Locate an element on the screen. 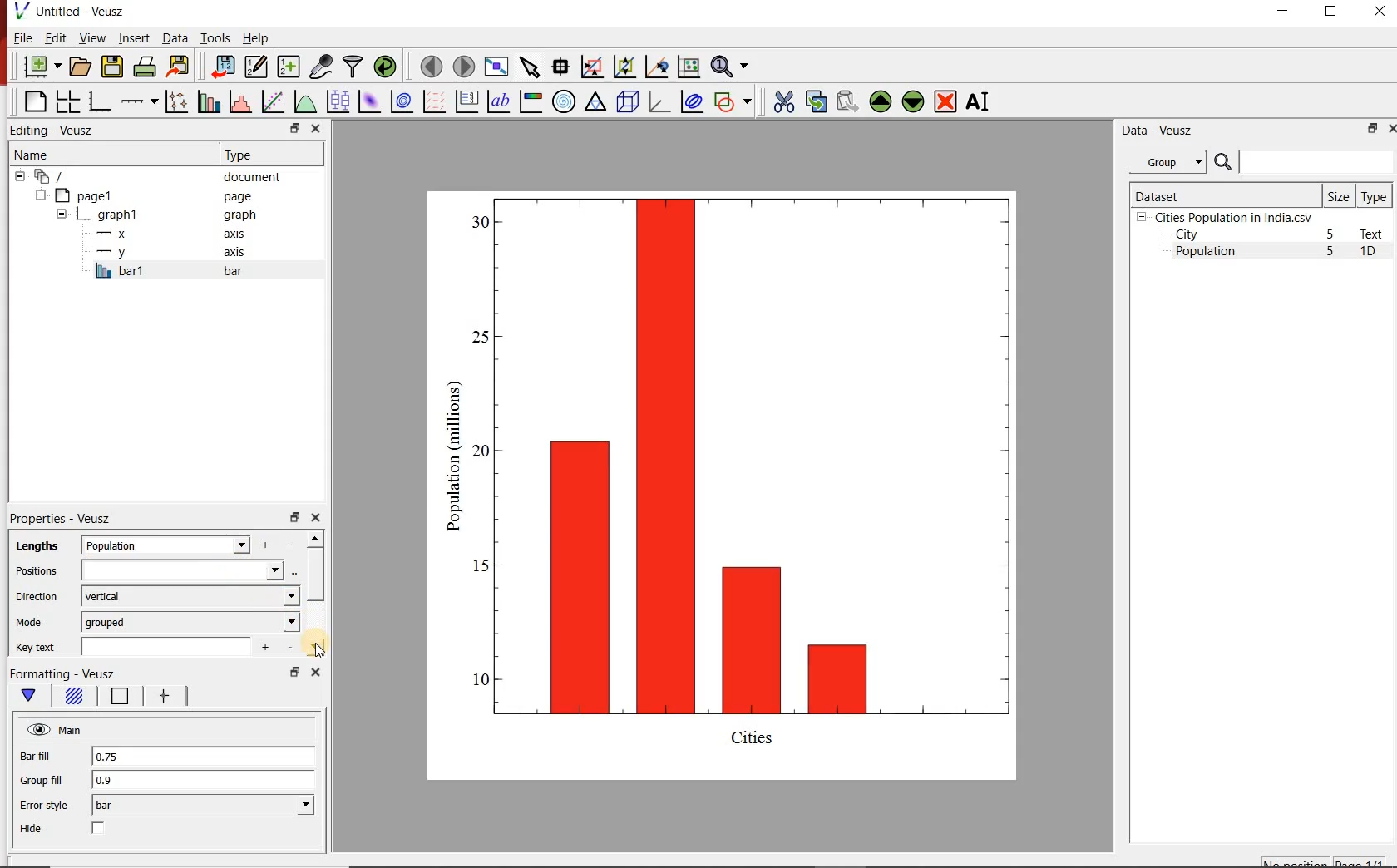  File is located at coordinates (23, 37).